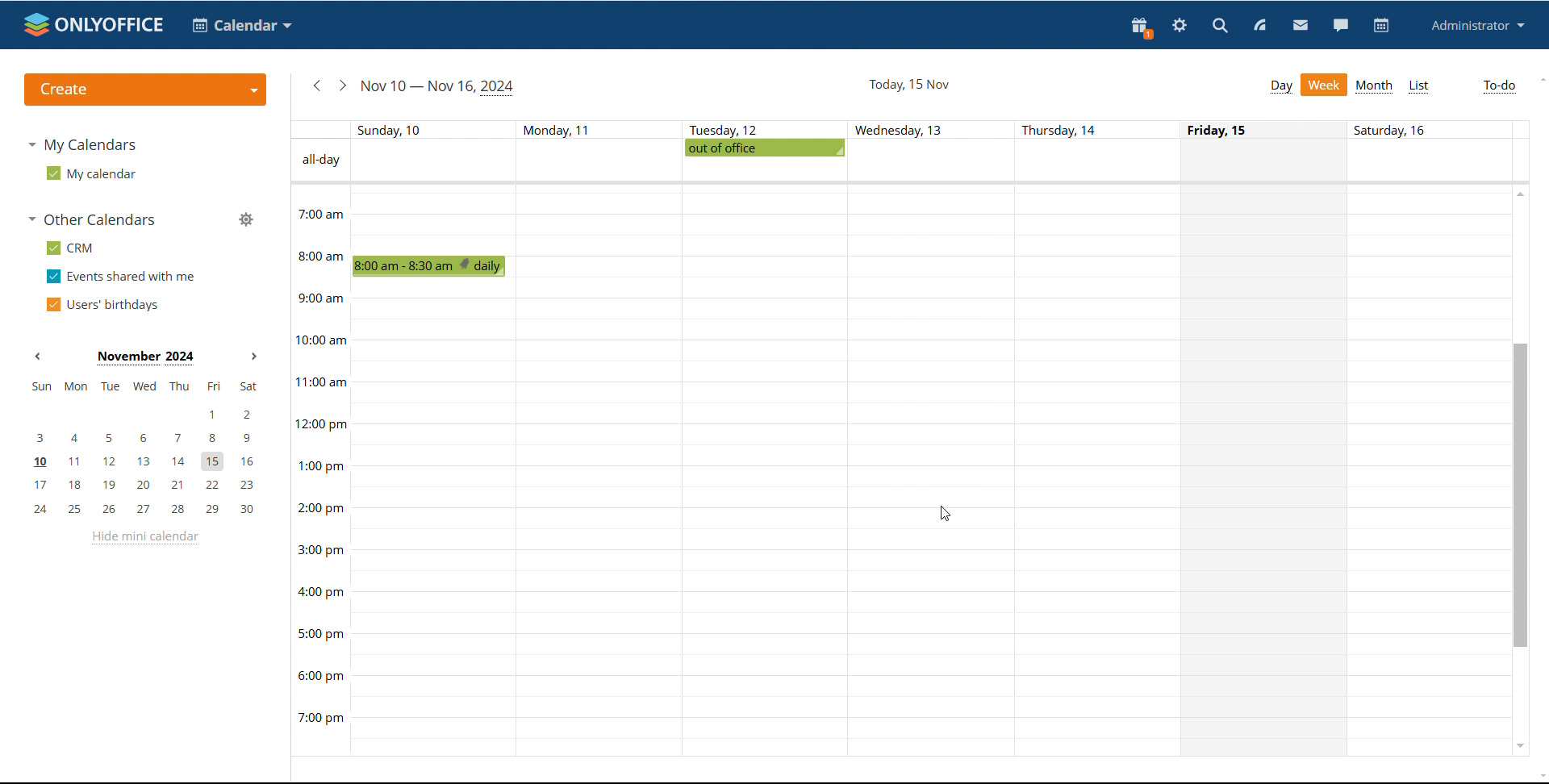 Image resolution: width=1549 pixels, height=784 pixels. I want to click on , so click(1060, 131).